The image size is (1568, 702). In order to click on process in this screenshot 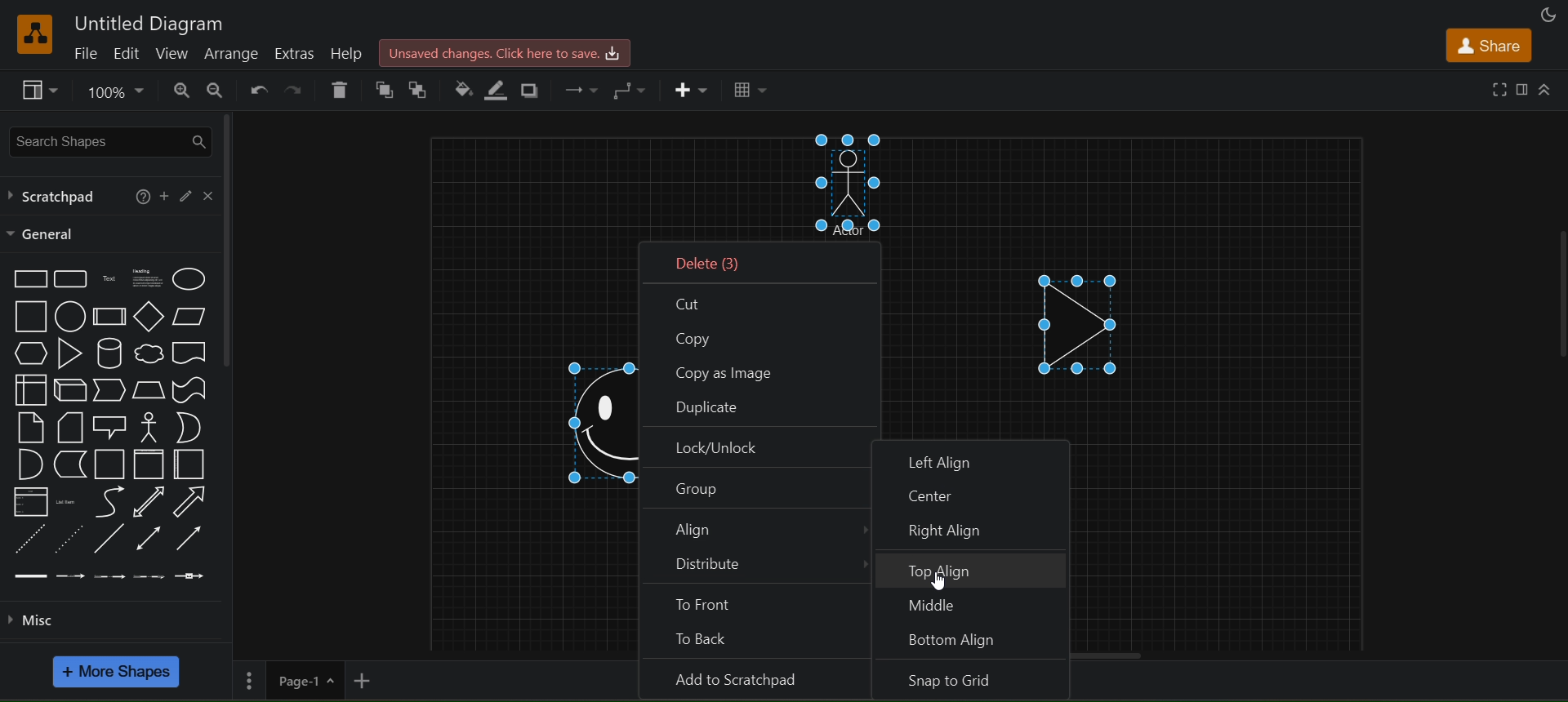, I will do `click(106, 317)`.